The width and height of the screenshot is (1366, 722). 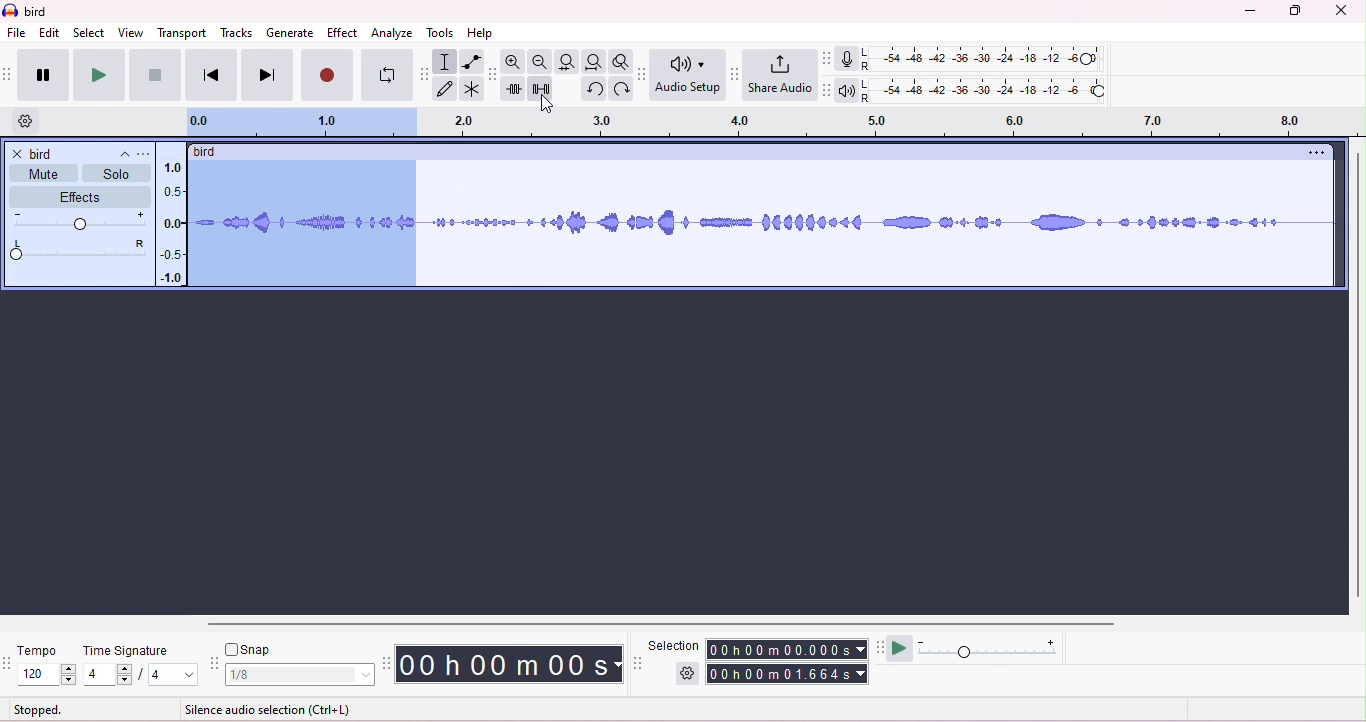 What do you see at coordinates (326, 75) in the screenshot?
I see `record` at bounding box center [326, 75].